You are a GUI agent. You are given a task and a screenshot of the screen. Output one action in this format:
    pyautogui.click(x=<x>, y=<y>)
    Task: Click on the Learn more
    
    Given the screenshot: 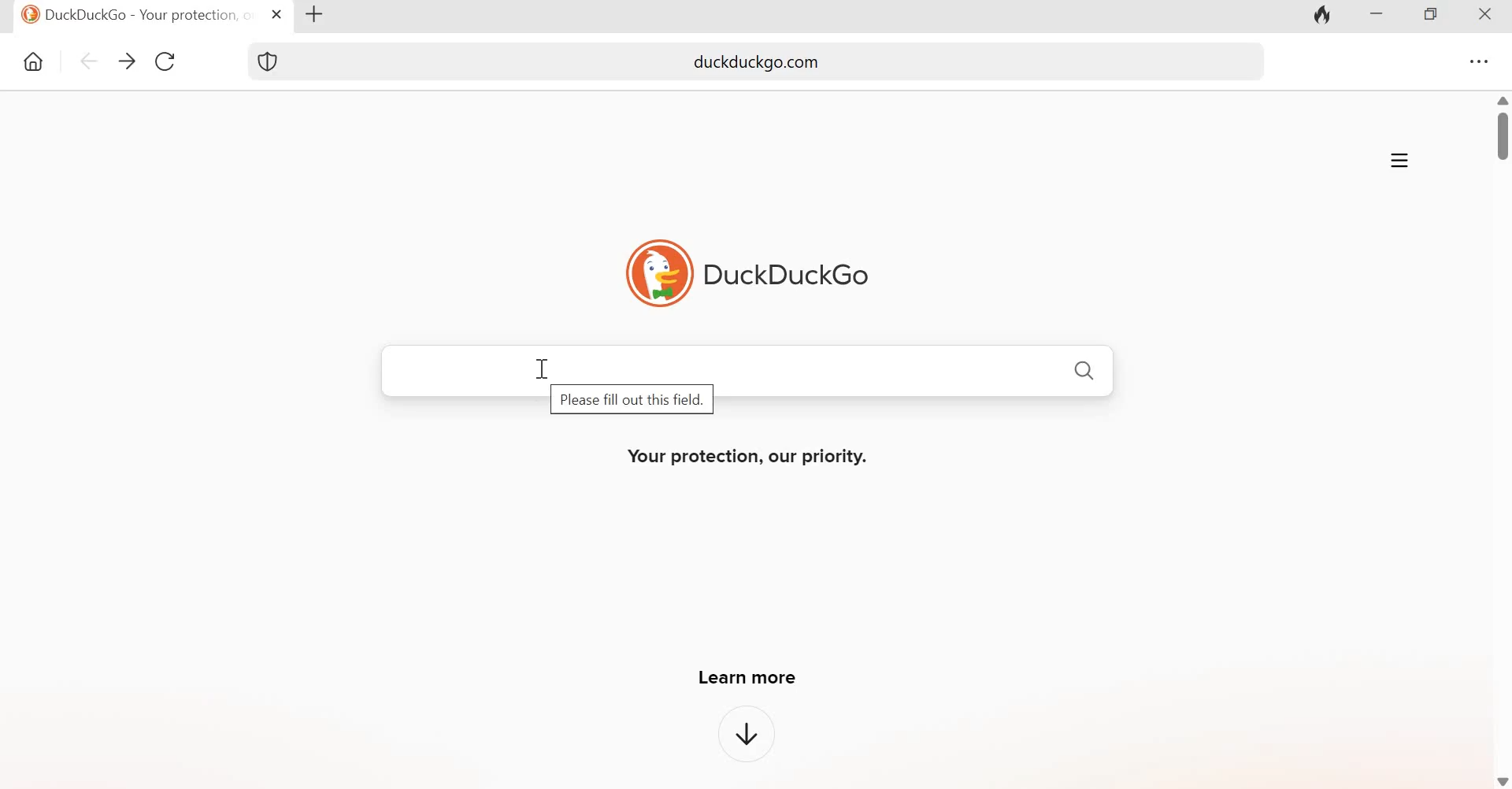 What is the action you would take?
    pyautogui.click(x=743, y=674)
    